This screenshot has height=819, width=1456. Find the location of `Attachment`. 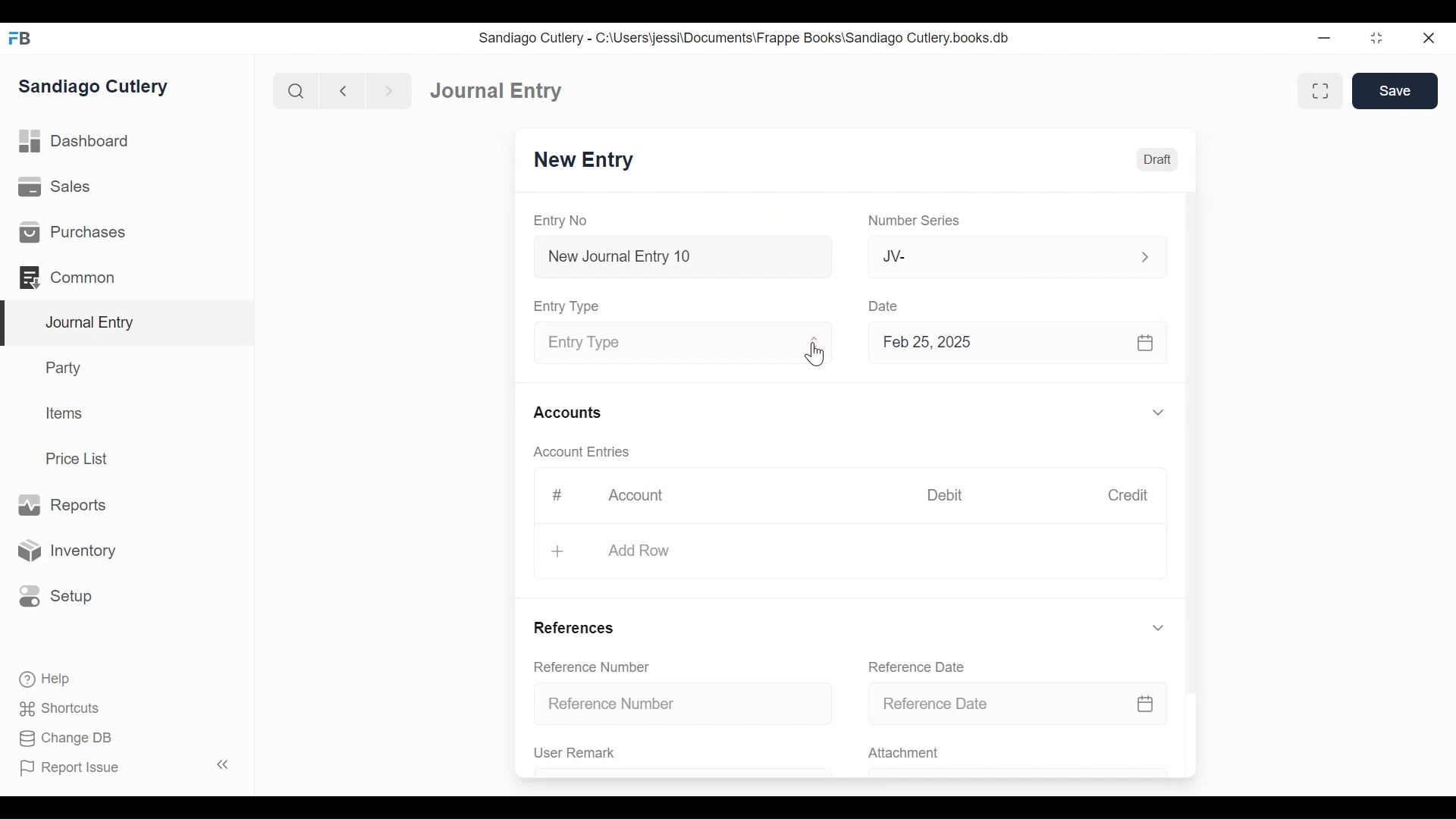

Attachment is located at coordinates (906, 754).